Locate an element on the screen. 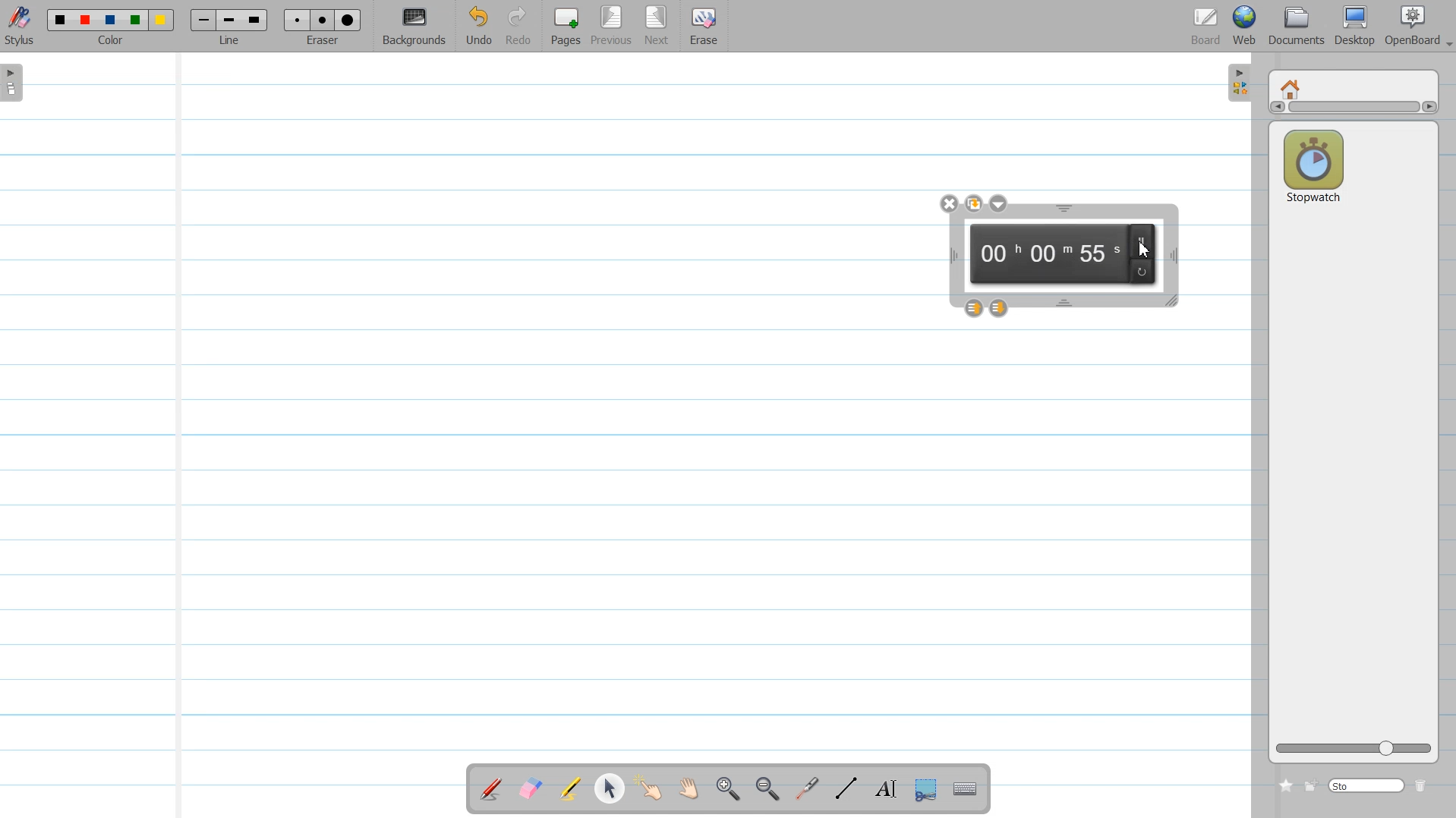 Image resolution: width=1456 pixels, height=818 pixels. Time window Hight adjustment is located at coordinates (1066, 303).